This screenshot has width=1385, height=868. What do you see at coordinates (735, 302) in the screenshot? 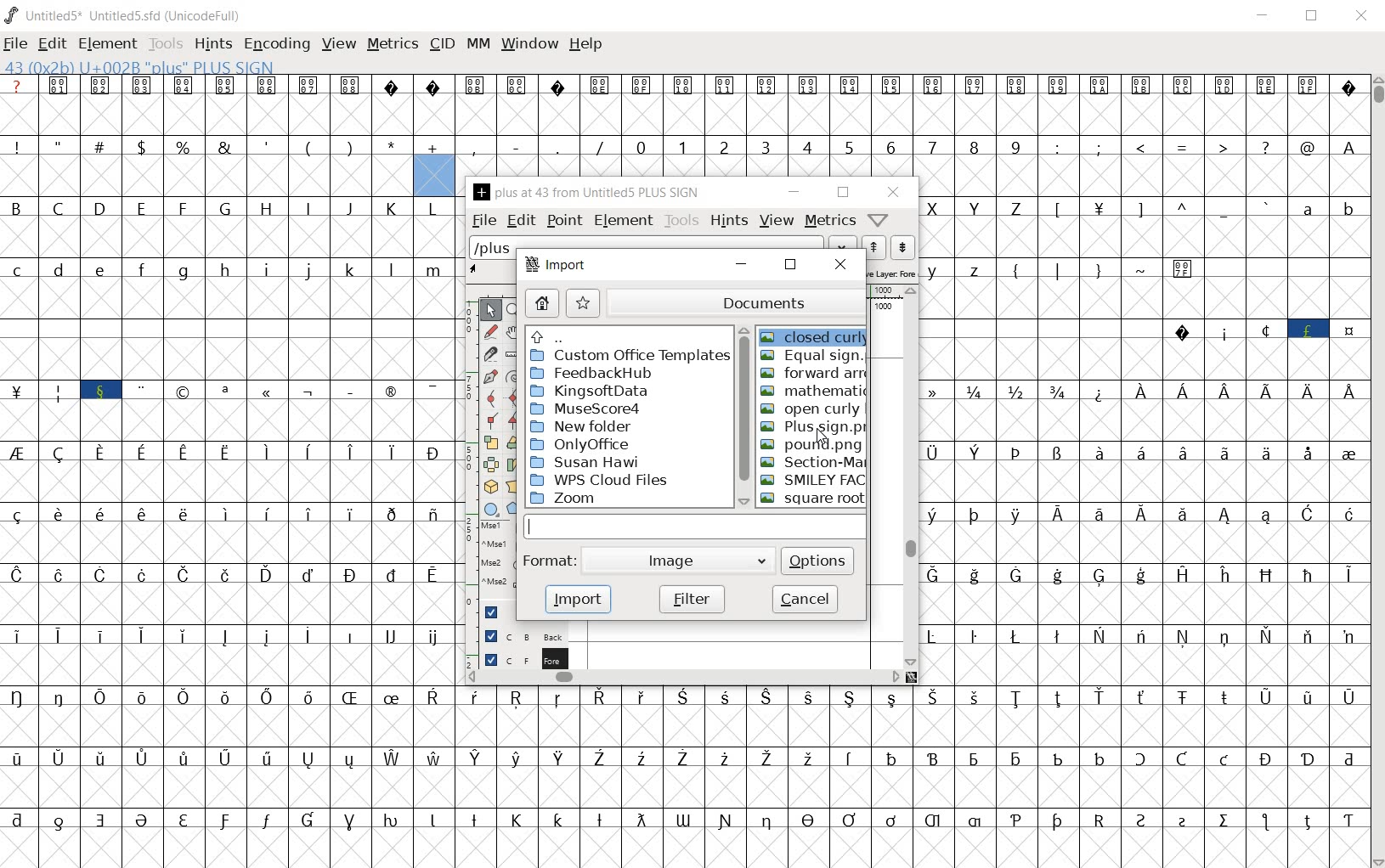
I see `documents` at bounding box center [735, 302].